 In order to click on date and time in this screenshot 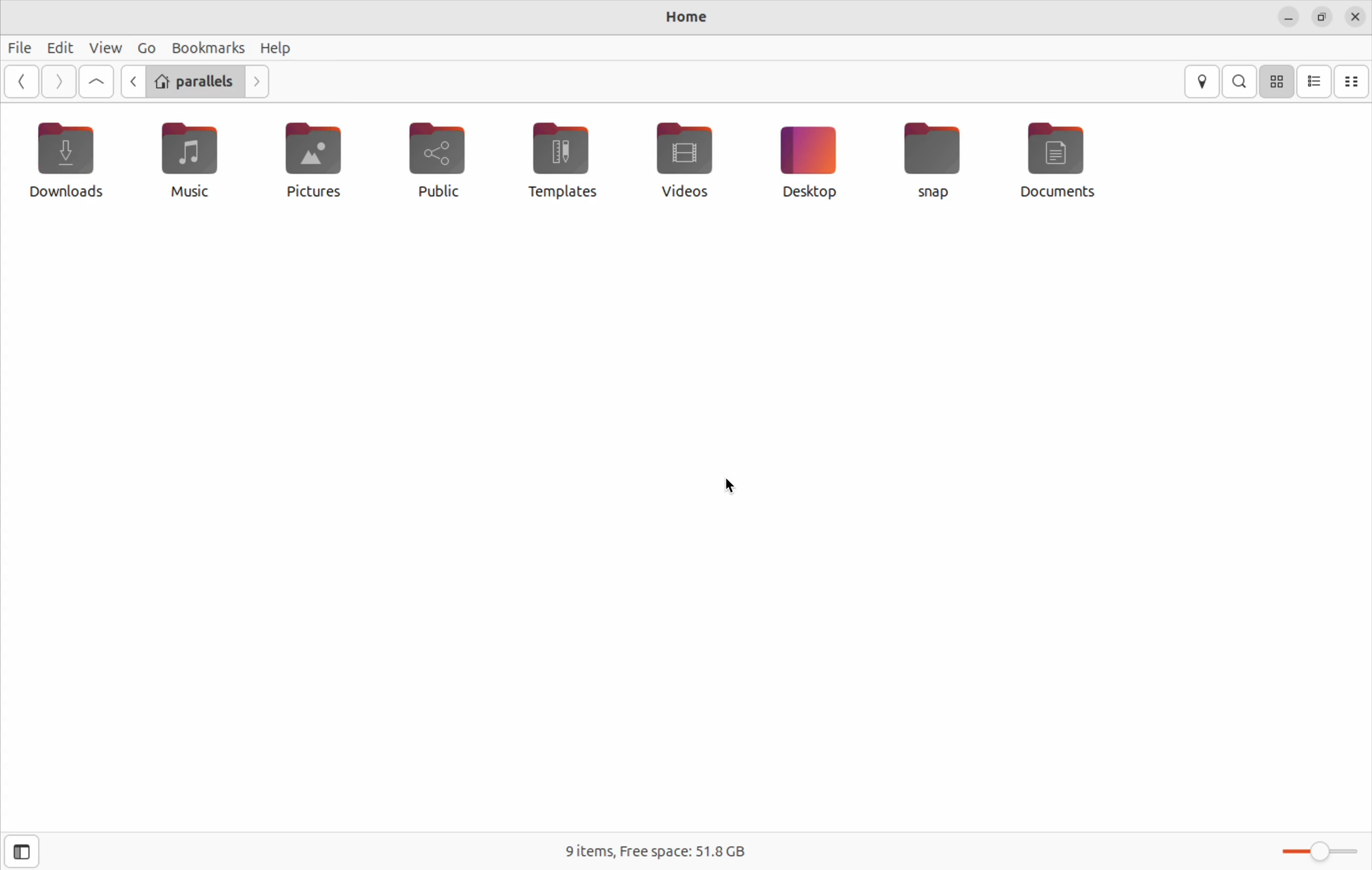, I will do `click(1355, 16)`.